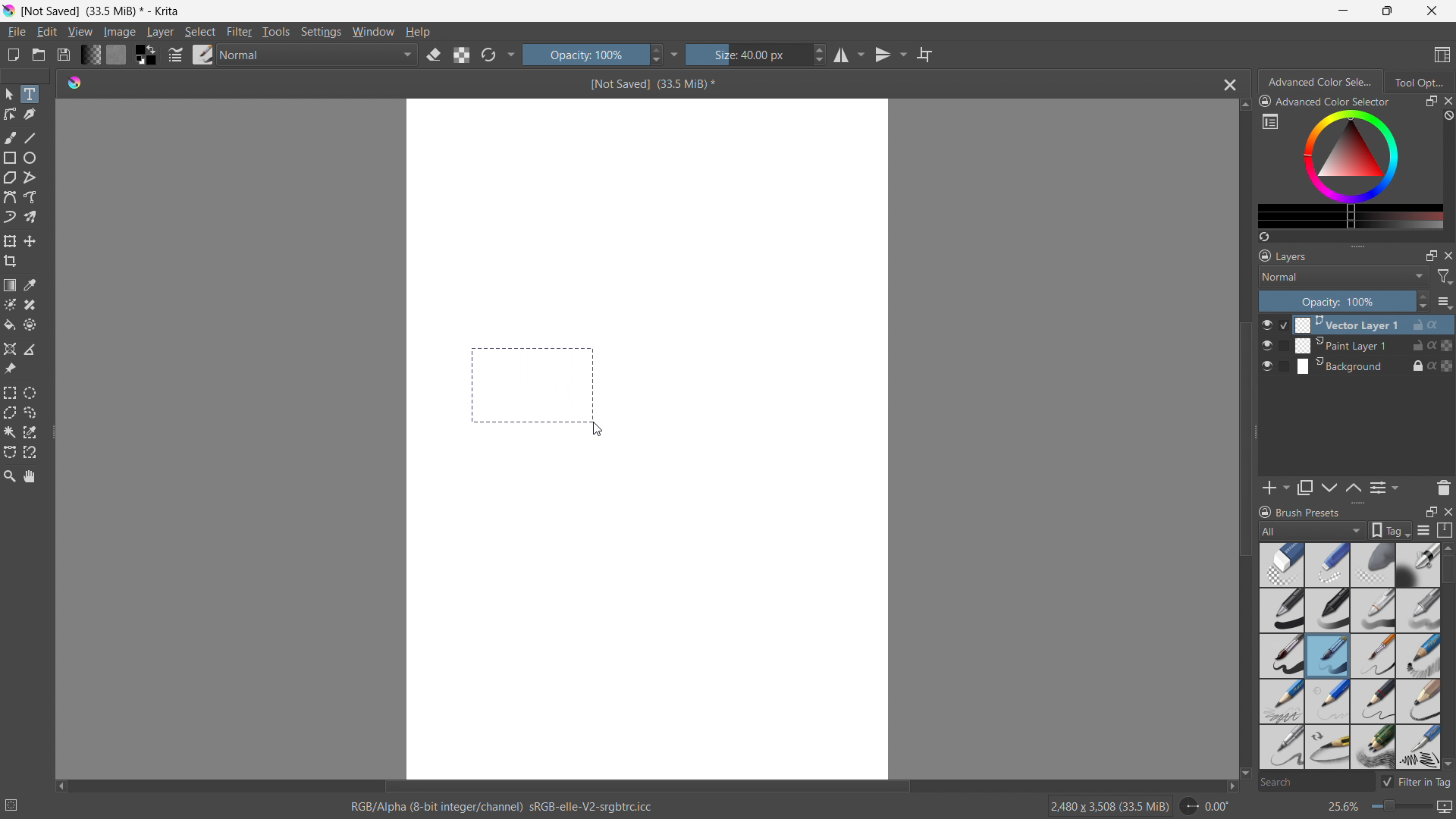 The width and height of the screenshot is (1456, 819). Describe the element at coordinates (1447, 101) in the screenshot. I see `close` at that location.